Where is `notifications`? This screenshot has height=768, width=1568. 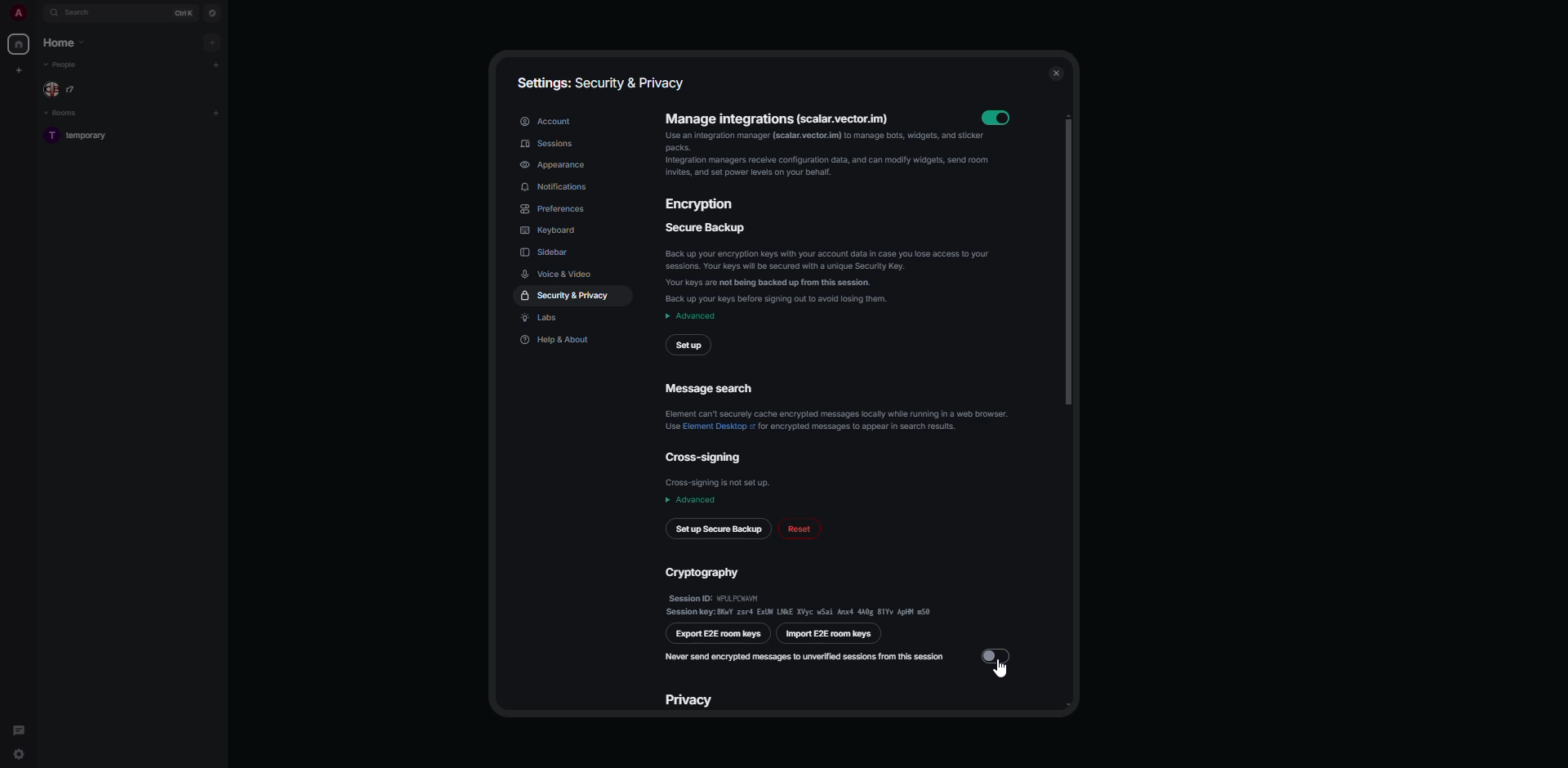
notifications is located at coordinates (556, 189).